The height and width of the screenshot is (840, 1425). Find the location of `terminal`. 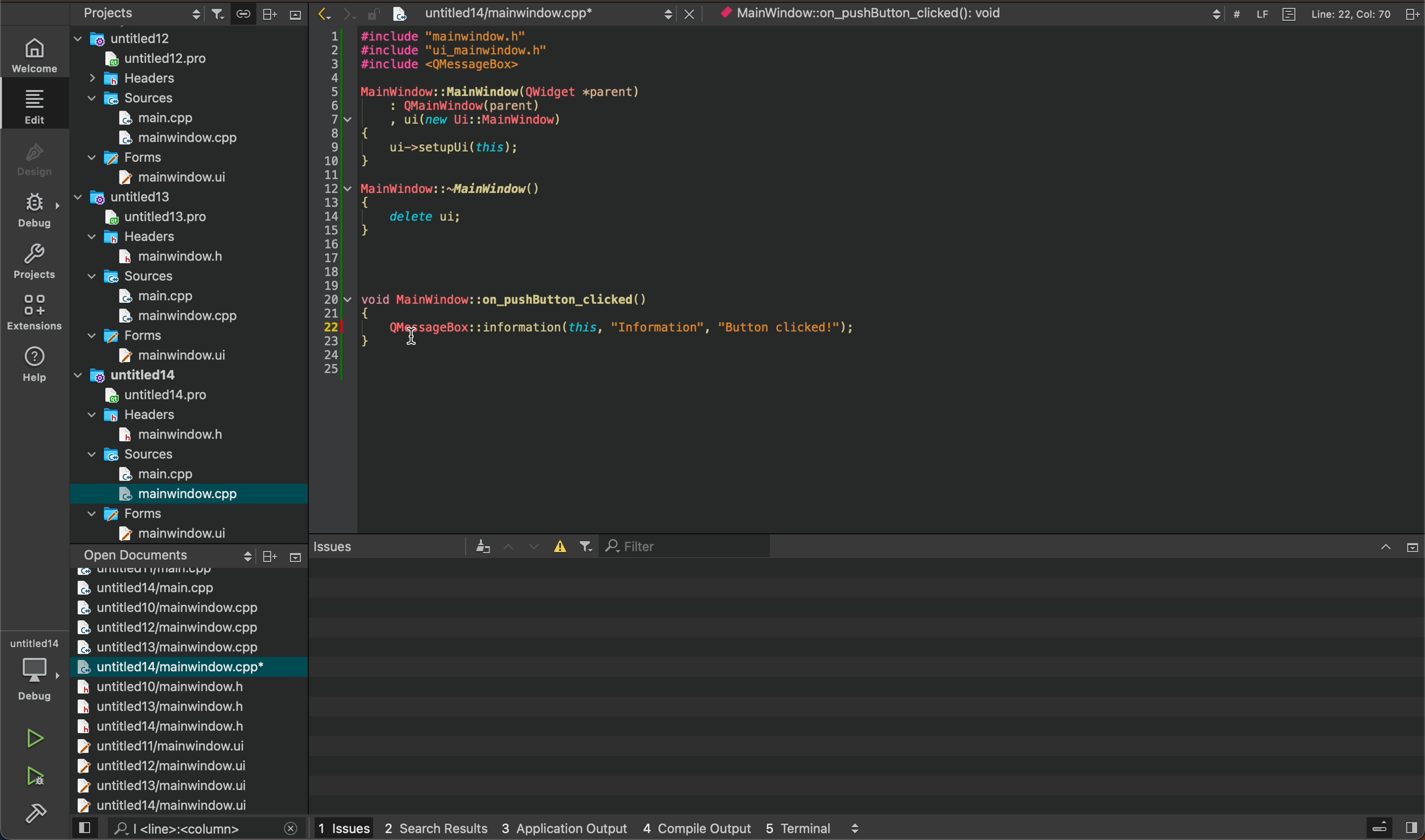

terminal is located at coordinates (866, 685).